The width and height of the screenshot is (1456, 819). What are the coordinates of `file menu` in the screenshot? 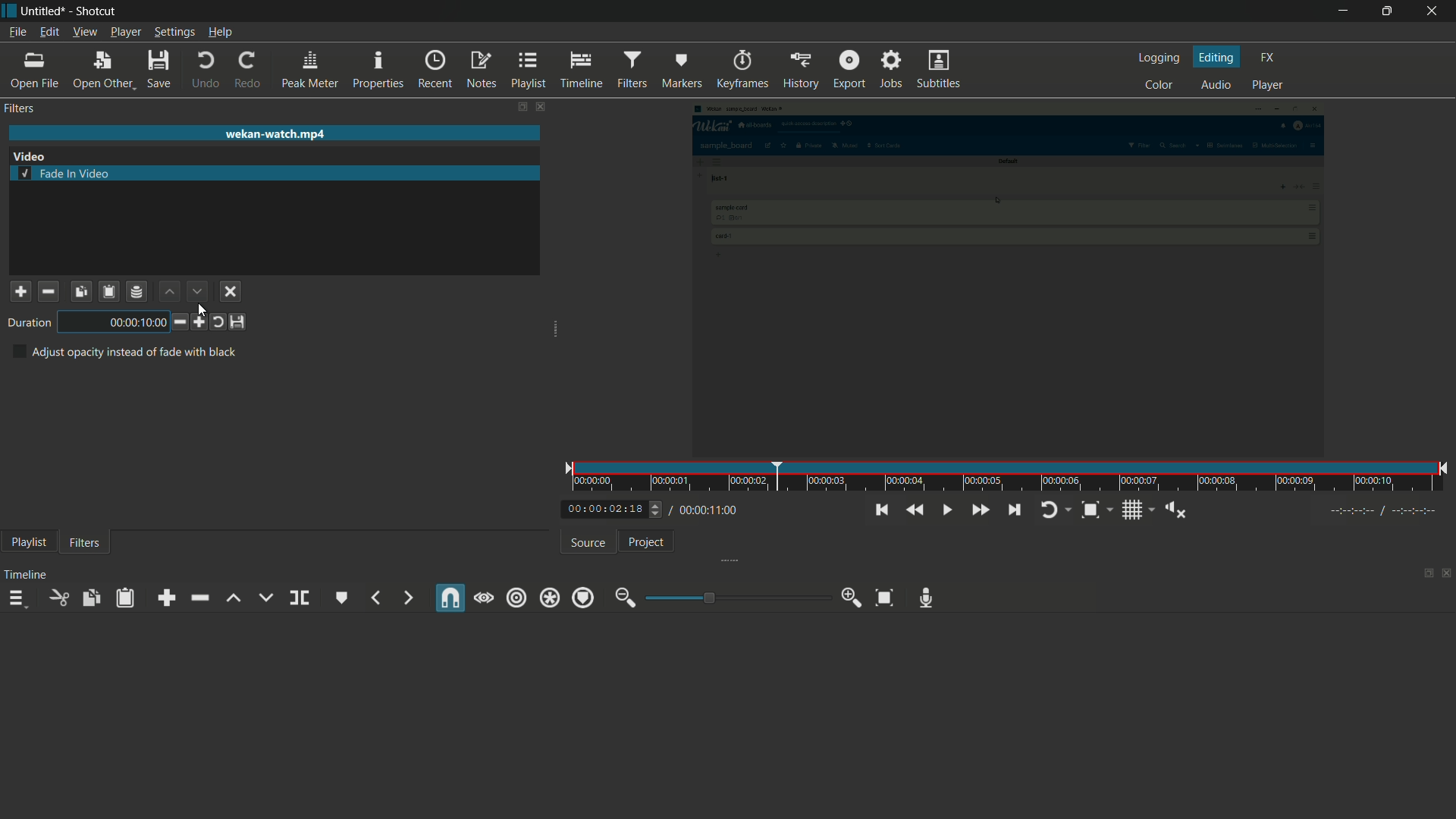 It's located at (16, 33).